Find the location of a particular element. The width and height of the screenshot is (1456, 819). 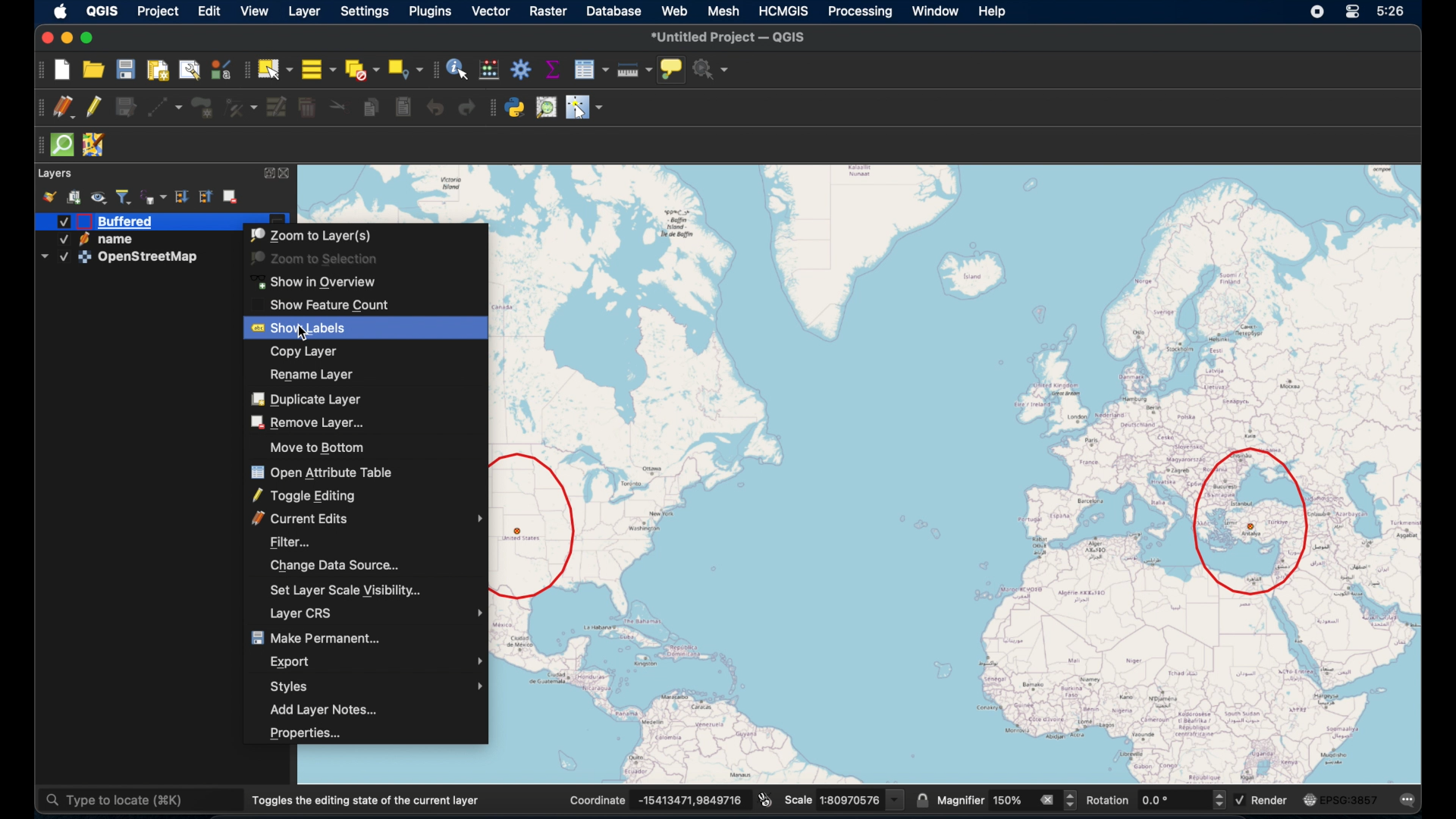

5:26 is located at coordinates (1392, 11).